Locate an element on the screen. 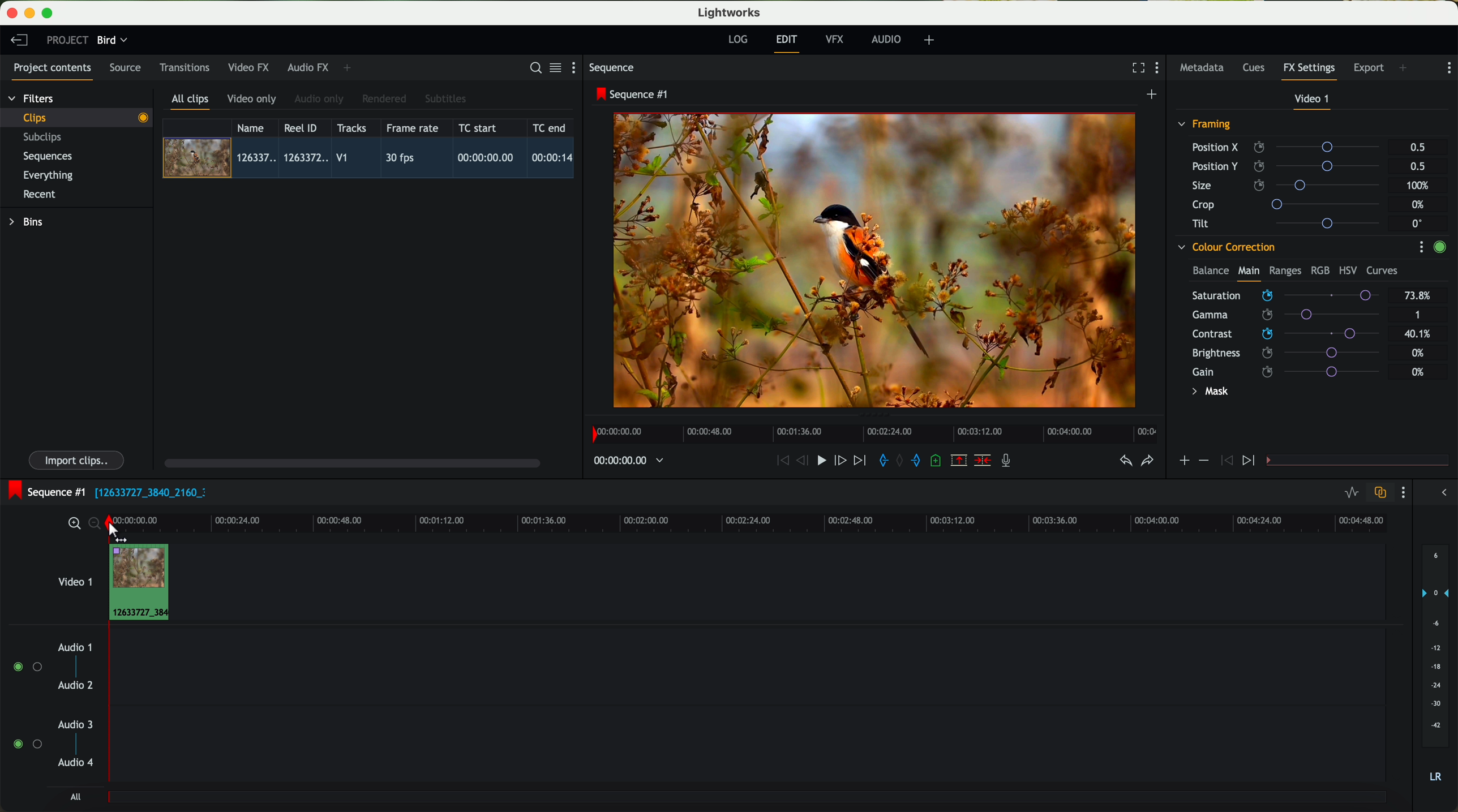  icon is located at coordinates (1183, 462).